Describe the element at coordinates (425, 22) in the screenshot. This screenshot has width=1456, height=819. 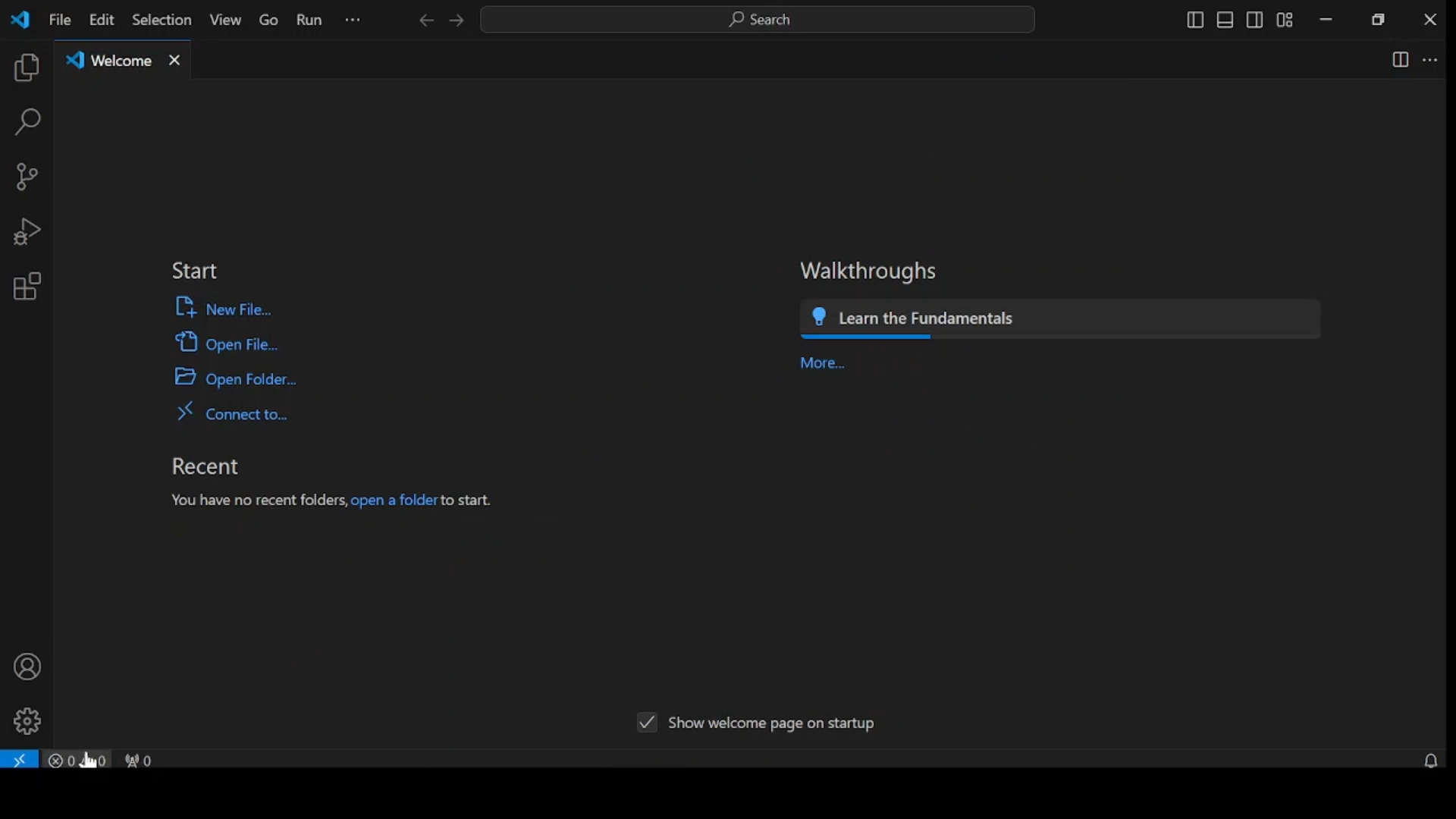
I see `previous` at that location.